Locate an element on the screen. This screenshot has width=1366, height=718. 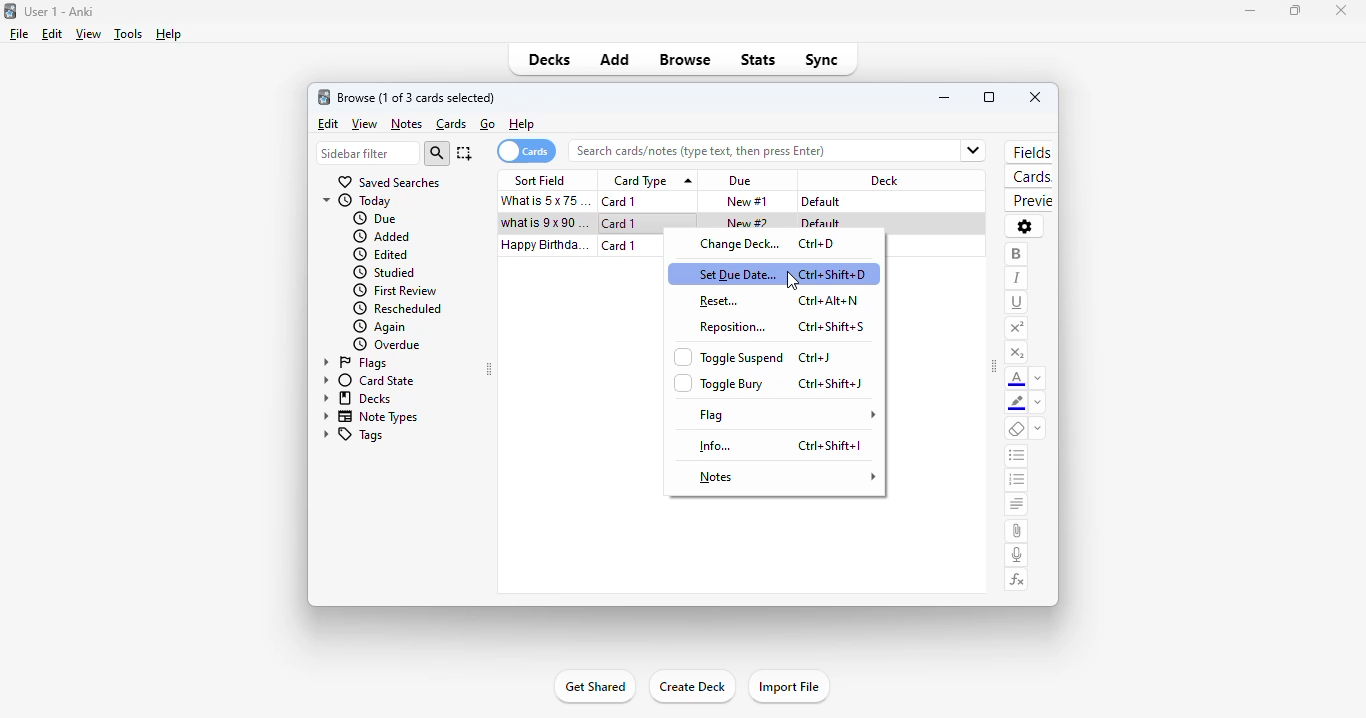
due is located at coordinates (739, 181).